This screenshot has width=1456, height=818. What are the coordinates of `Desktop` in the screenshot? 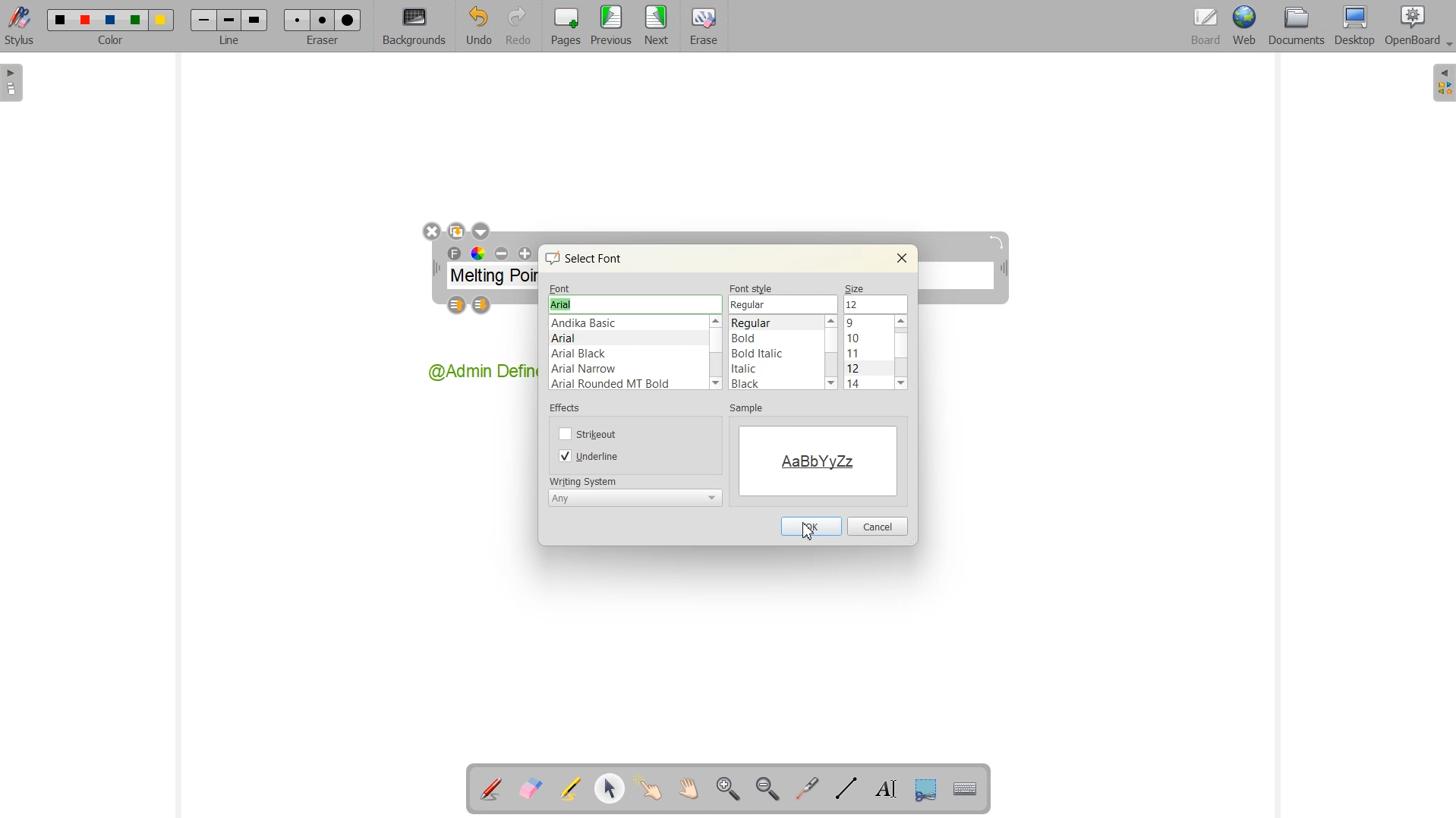 It's located at (1356, 27).